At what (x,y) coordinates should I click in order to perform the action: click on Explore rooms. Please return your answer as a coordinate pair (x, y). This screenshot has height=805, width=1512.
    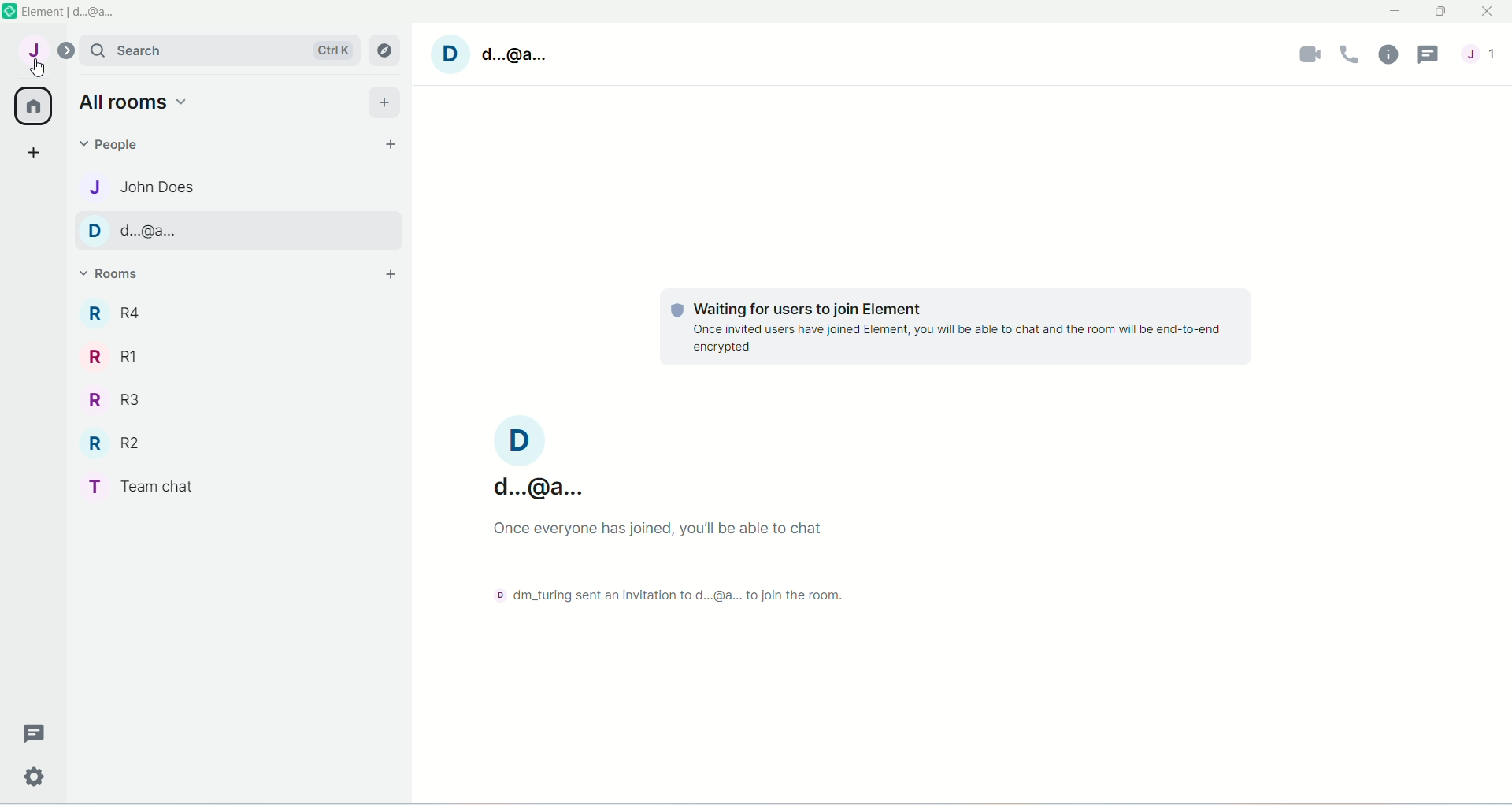
    Looking at the image, I should click on (385, 51).